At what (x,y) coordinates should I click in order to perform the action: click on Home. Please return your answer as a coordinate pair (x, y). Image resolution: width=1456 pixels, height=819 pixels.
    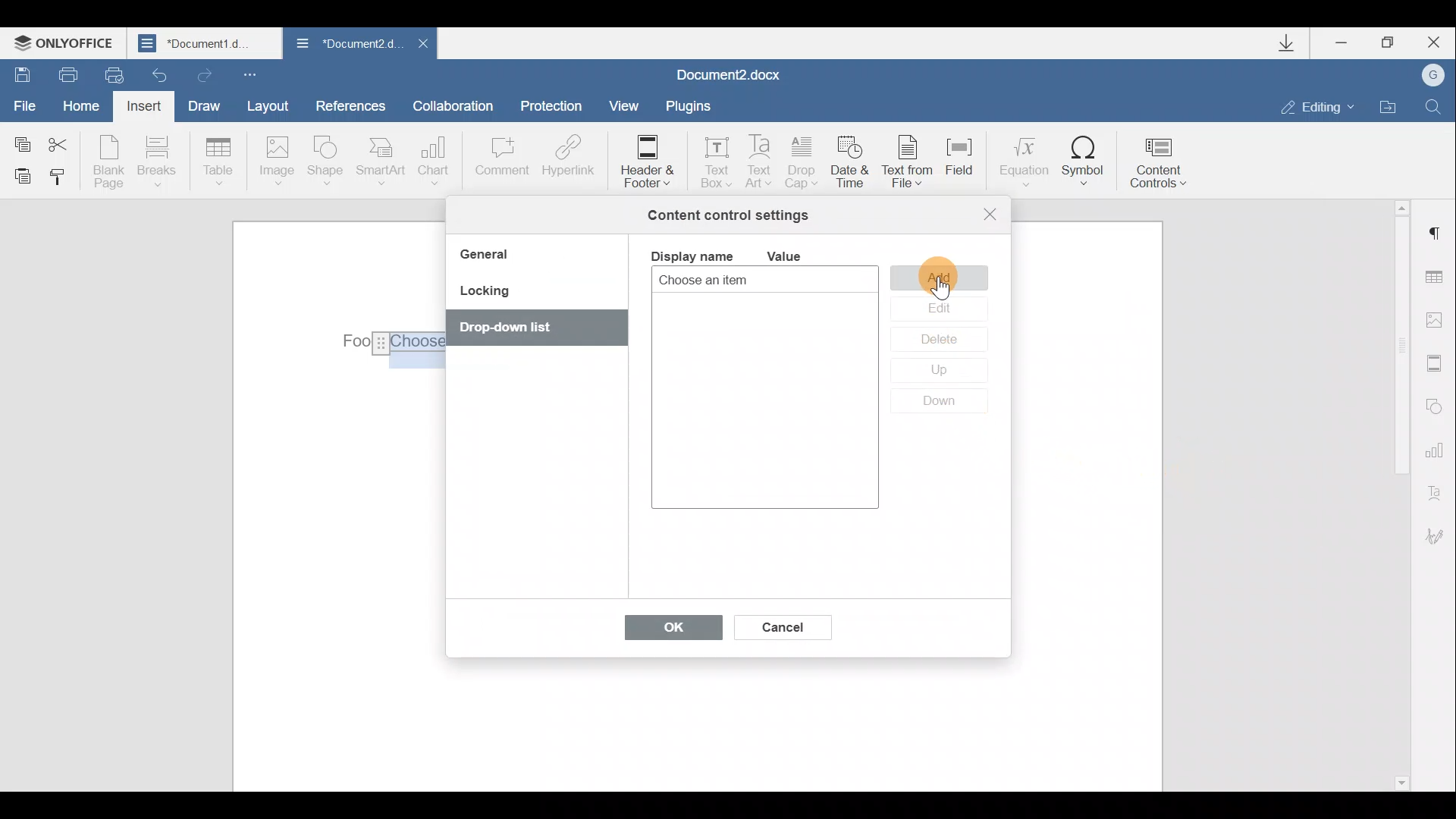
    Looking at the image, I should click on (86, 108).